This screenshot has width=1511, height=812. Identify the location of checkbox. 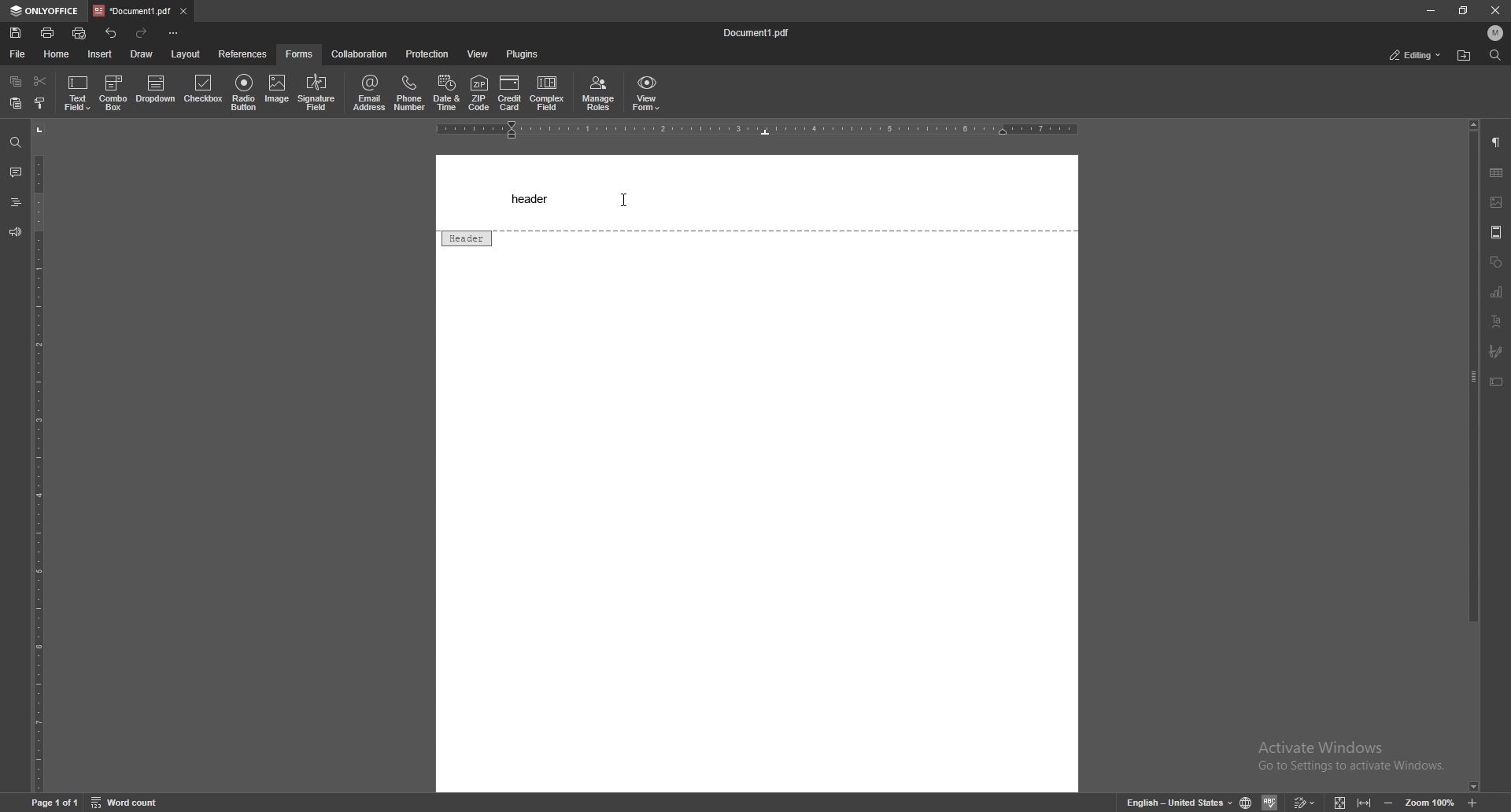
(203, 91).